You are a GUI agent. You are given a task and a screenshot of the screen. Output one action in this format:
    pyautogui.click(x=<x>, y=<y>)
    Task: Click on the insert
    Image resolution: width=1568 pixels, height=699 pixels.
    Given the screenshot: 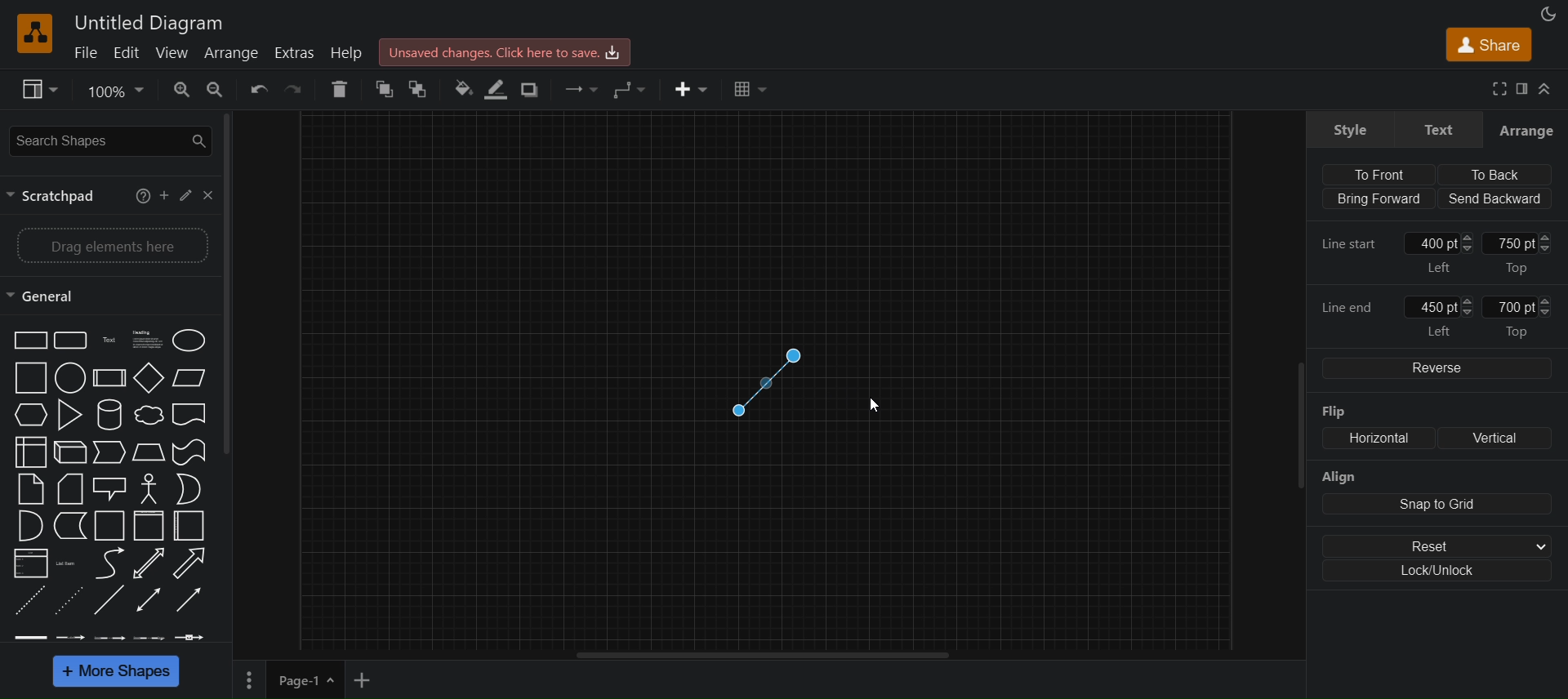 What is the action you would take?
    pyautogui.click(x=692, y=89)
    